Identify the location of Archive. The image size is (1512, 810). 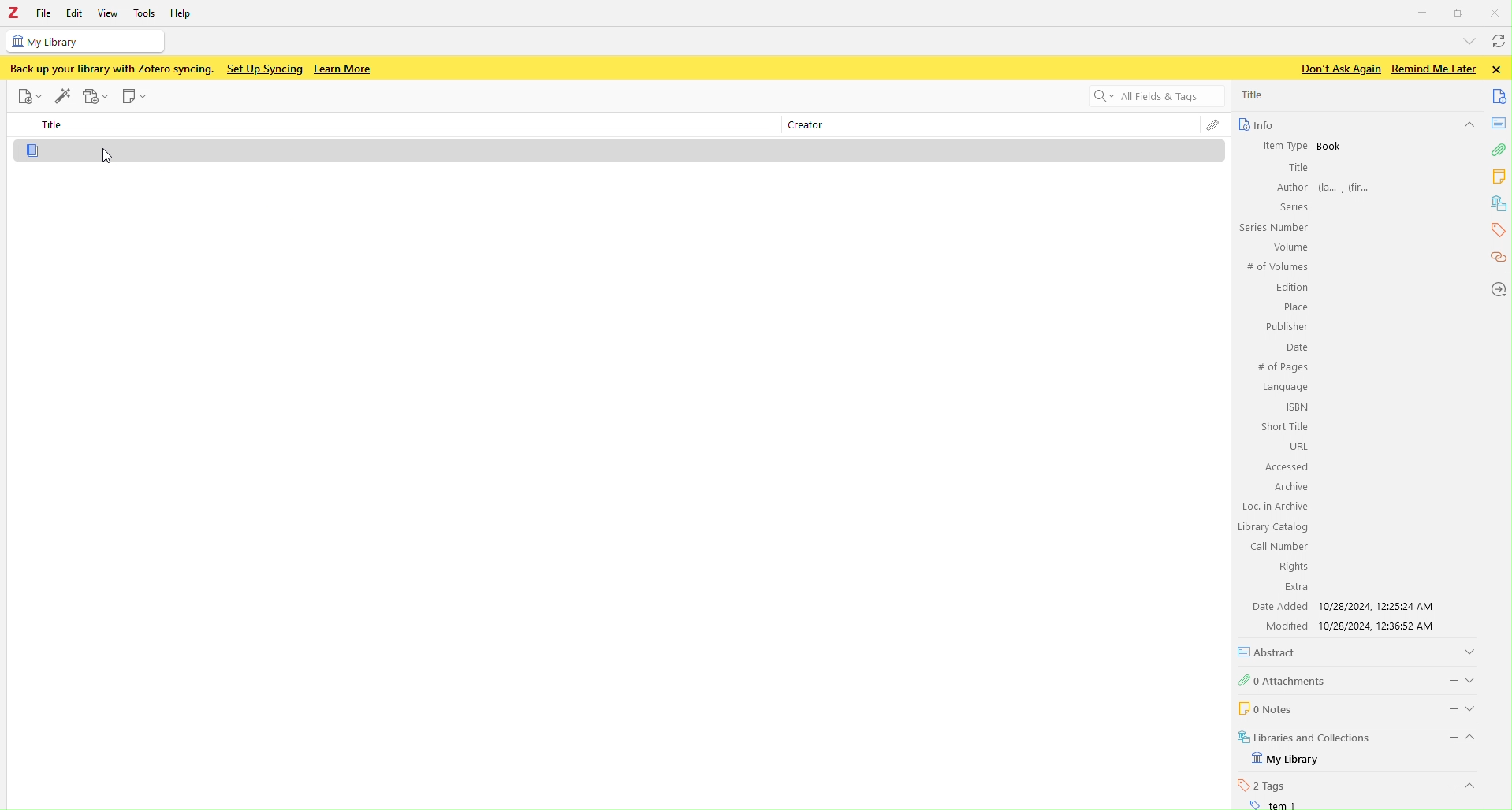
(1289, 486).